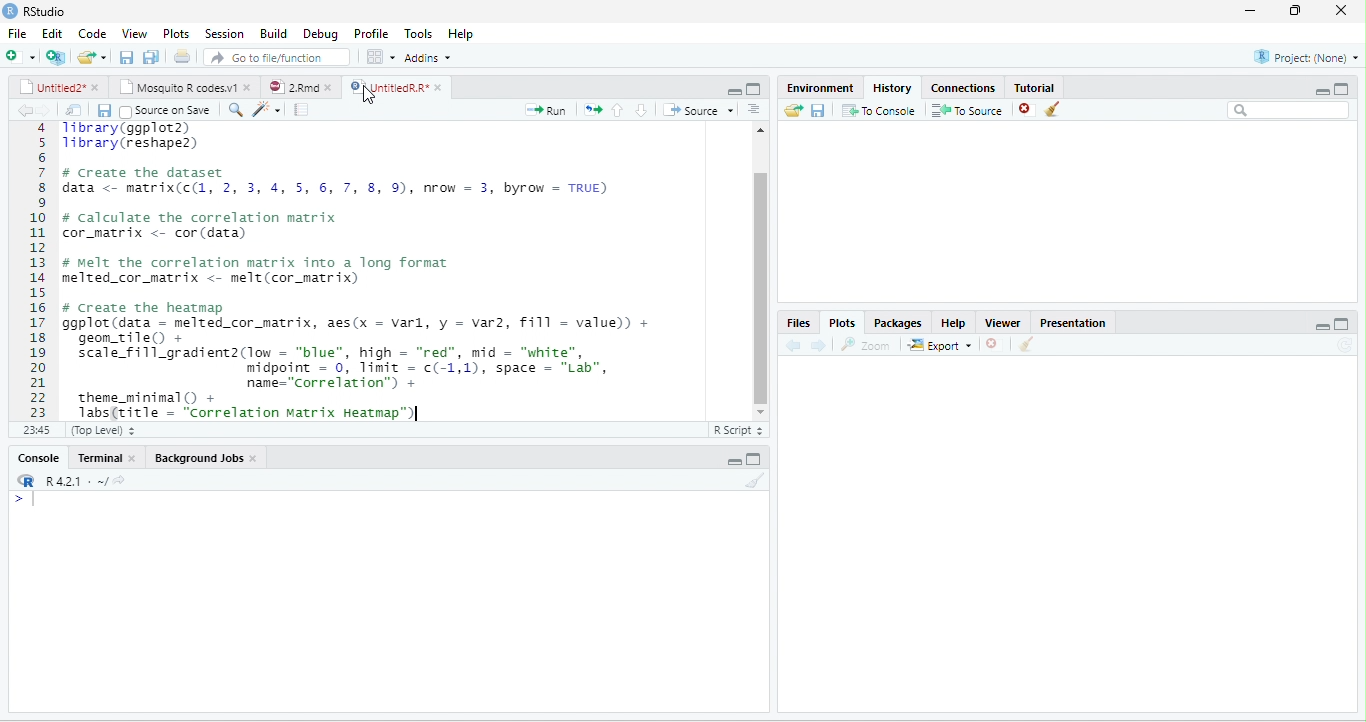 The image size is (1366, 722). I want to click on MAXIMIZE, so click(1349, 326).